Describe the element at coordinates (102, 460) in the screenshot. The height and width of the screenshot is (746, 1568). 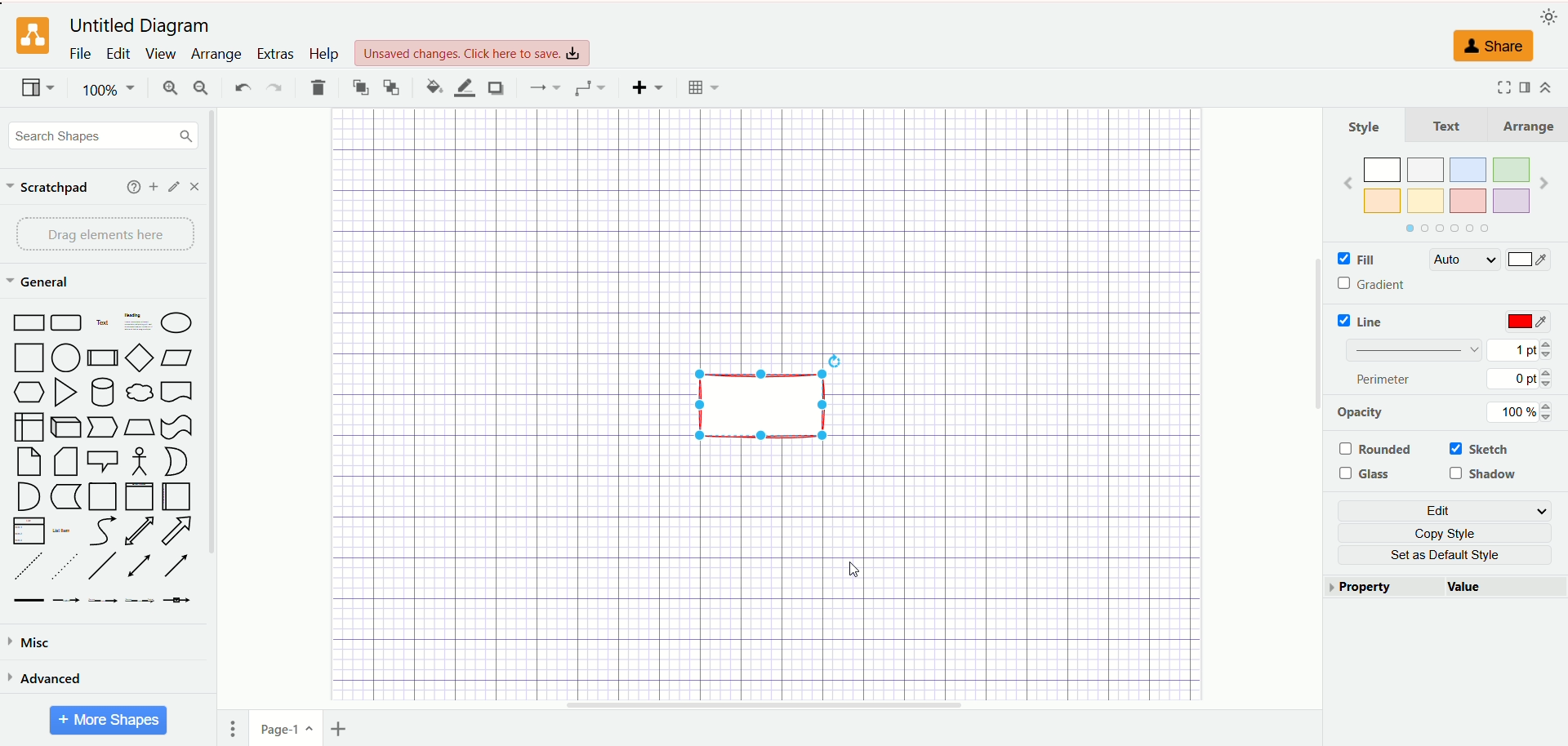
I see `shapes` at that location.